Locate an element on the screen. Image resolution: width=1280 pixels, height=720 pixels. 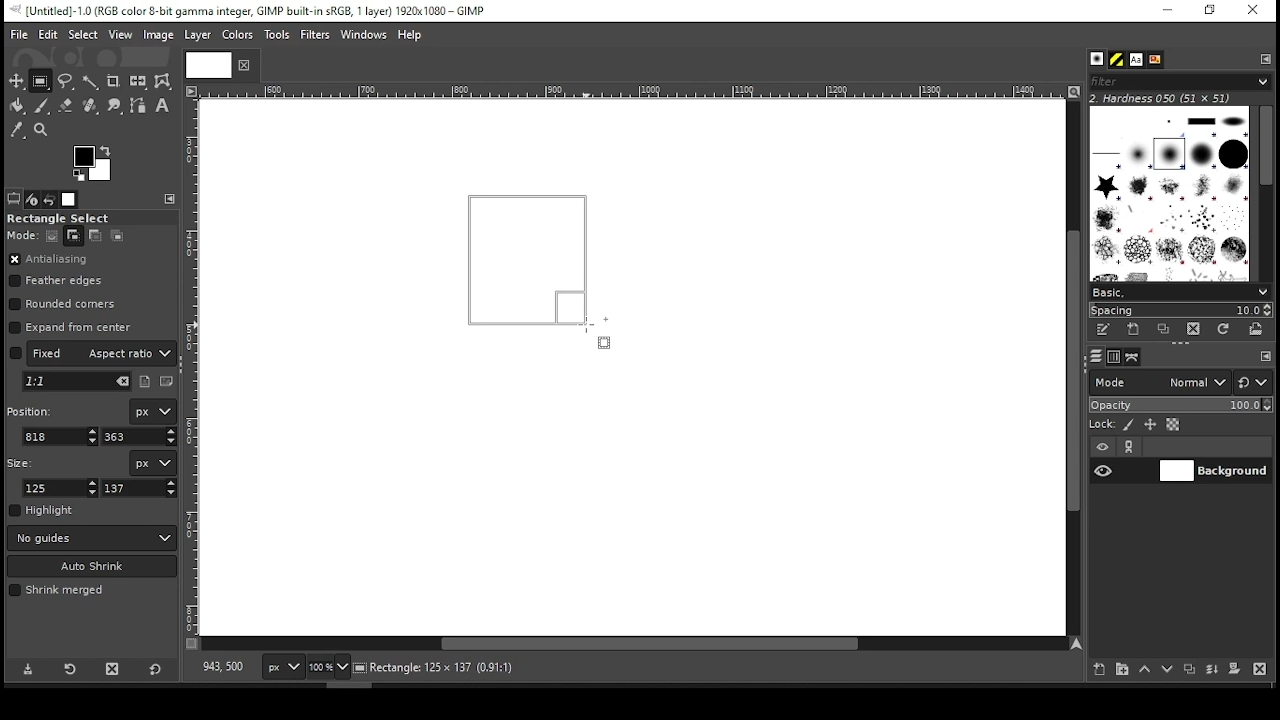
aspect ratio is located at coordinates (93, 352).